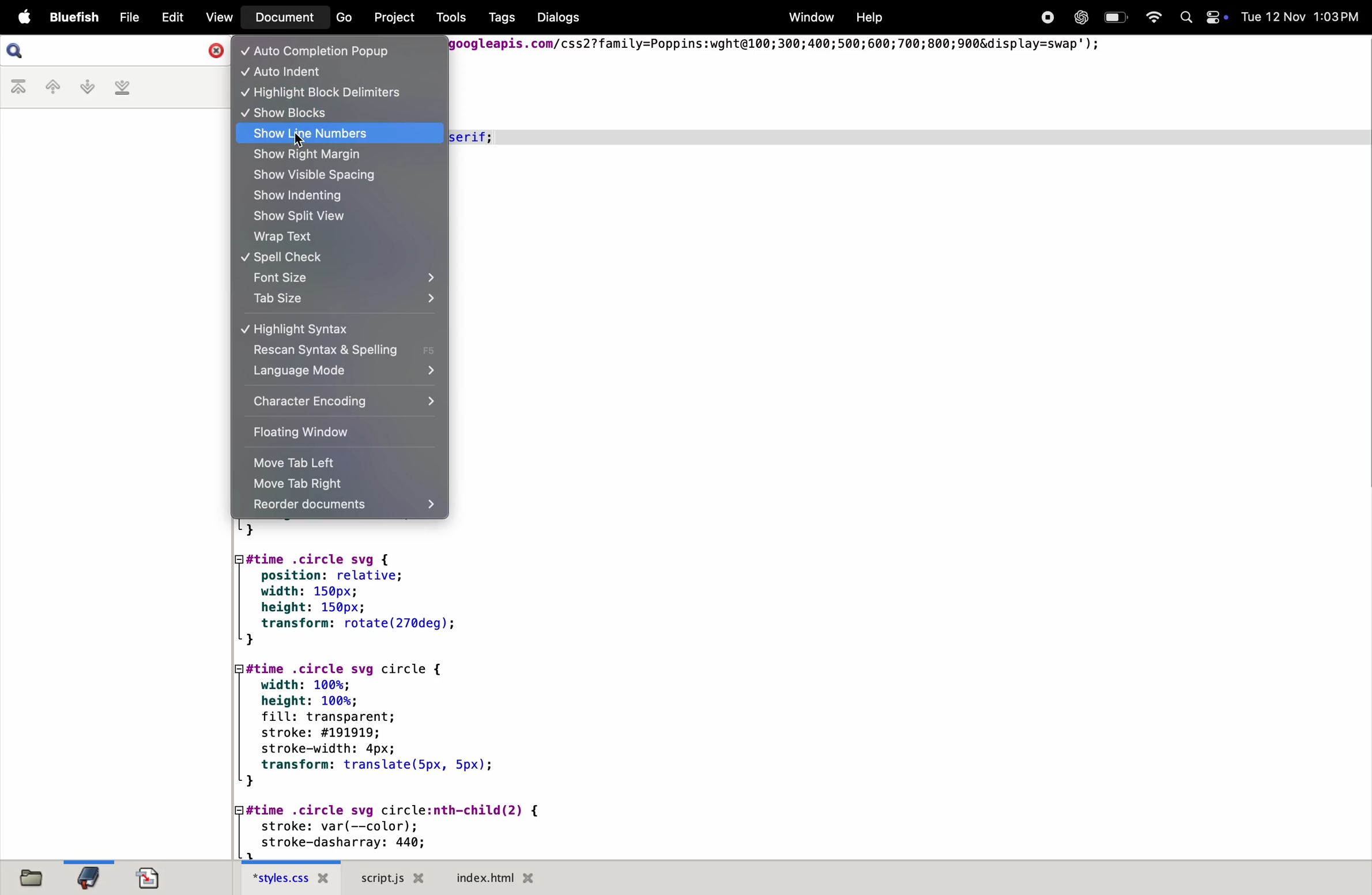 Image resolution: width=1372 pixels, height=895 pixels. What do you see at coordinates (295, 878) in the screenshot?
I see `style.css` at bounding box center [295, 878].